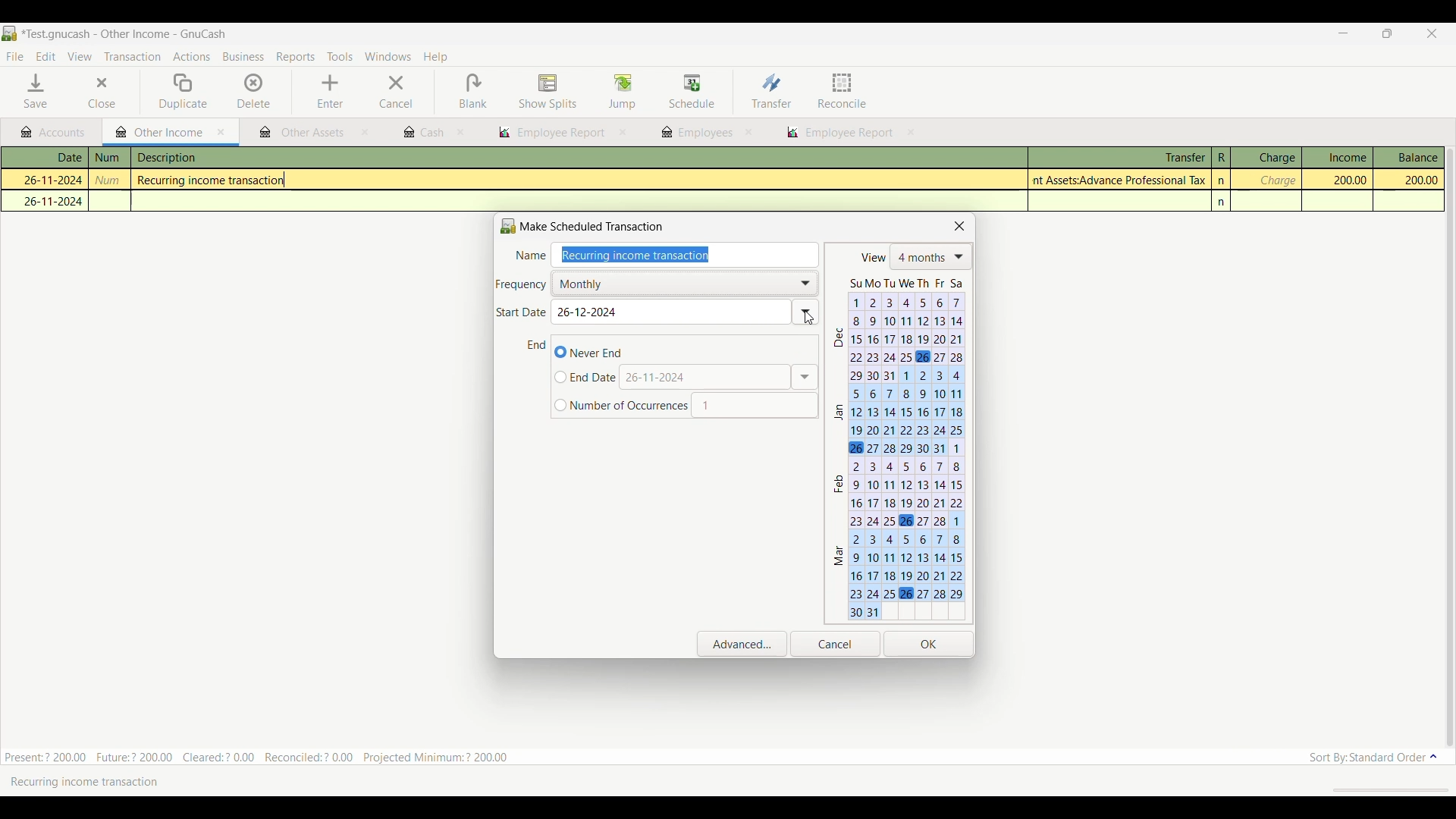 The height and width of the screenshot is (819, 1456). Describe the element at coordinates (623, 133) in the screenshot. I see `close` at that location.